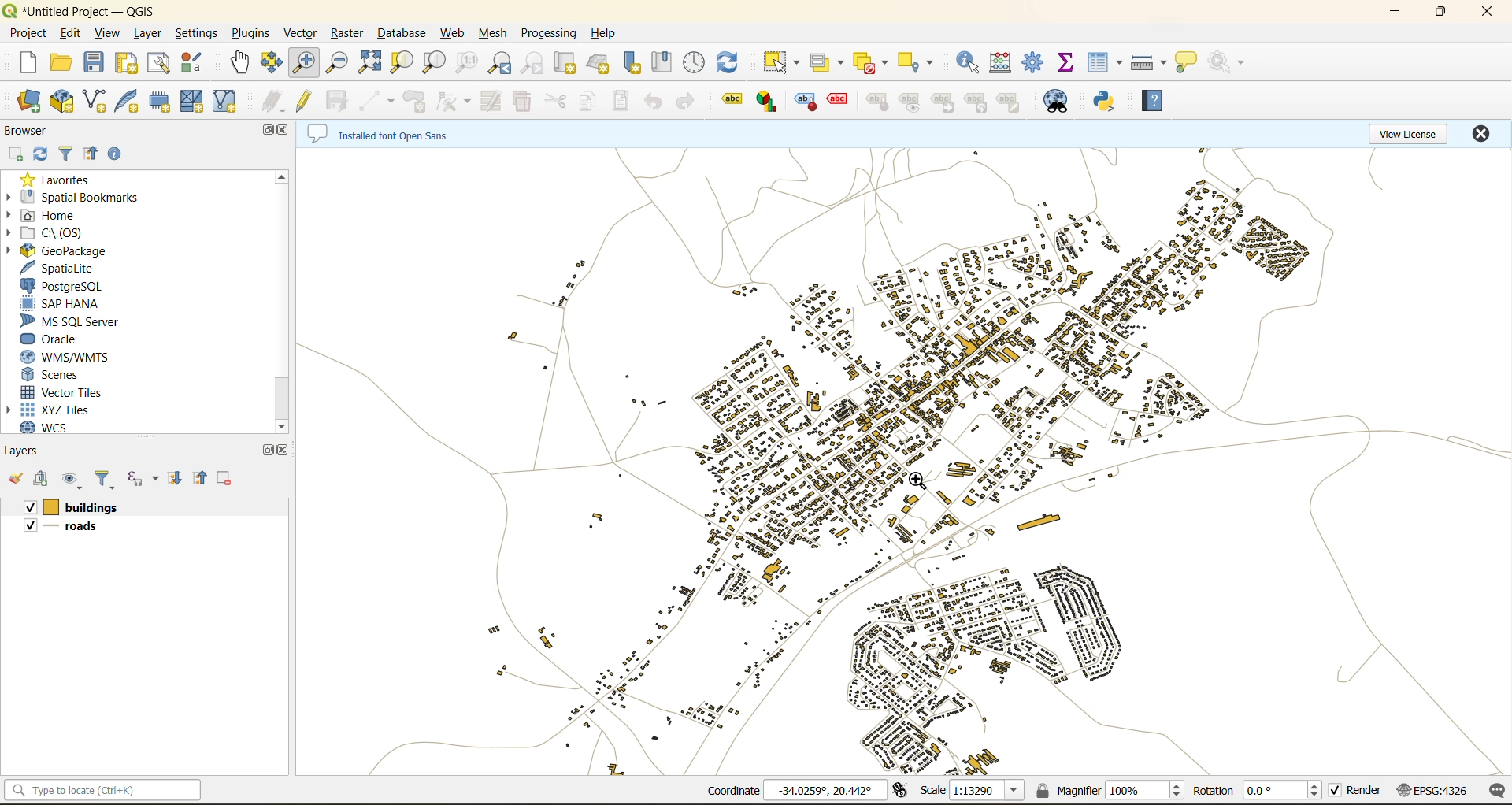 The image size is (1512, 805). What do you see at coordinates (1432, 790) in the screenshot?
I see `crs` at bounding box center [1432, 790].